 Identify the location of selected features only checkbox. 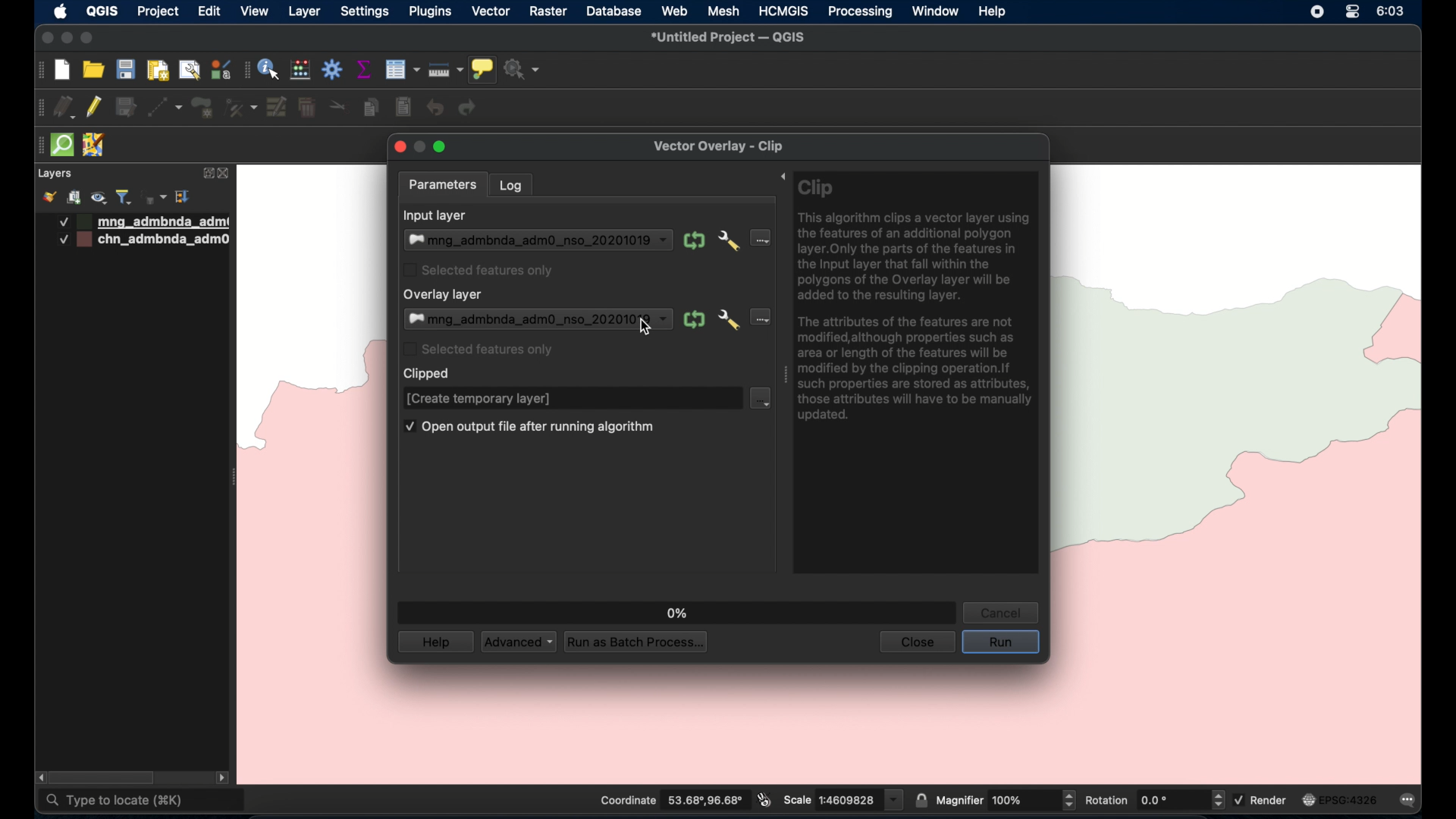
(478, 269).